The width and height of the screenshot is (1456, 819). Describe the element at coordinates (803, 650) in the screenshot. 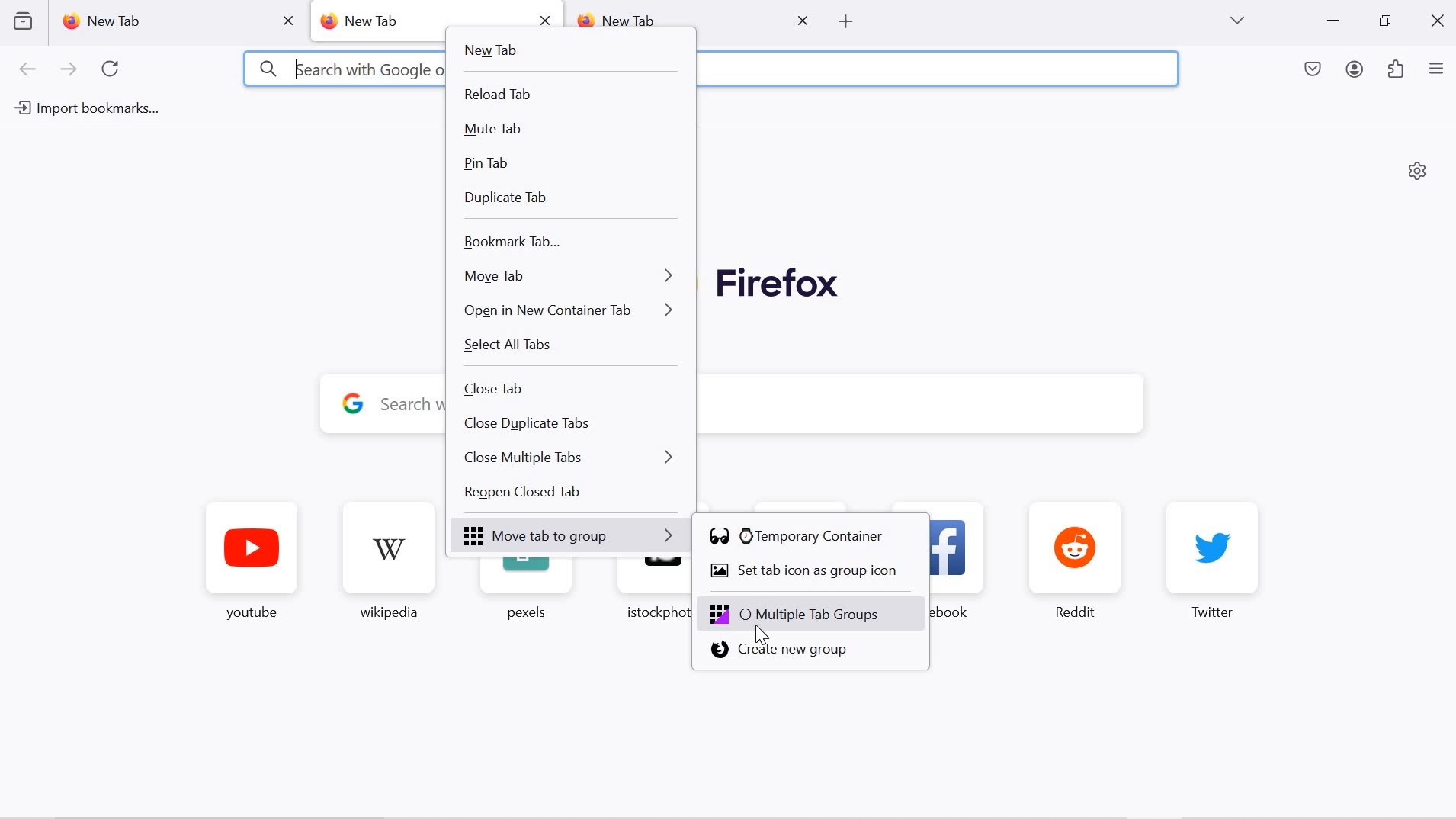

I see `create new group` at that location.